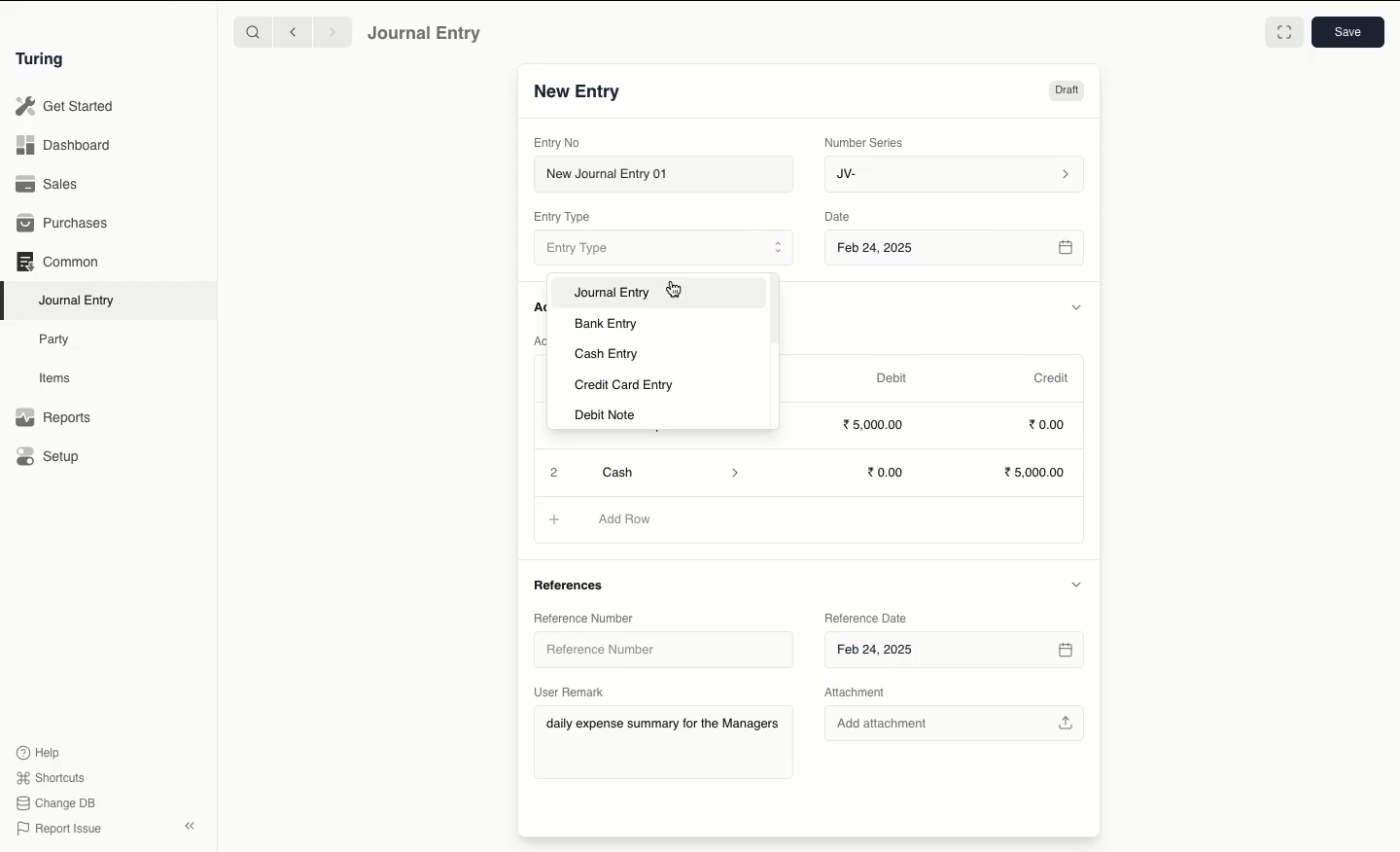  What do you see at coordinates (252, 31) in the screenshot?
I see `Search` at bounding box center [252, 31].